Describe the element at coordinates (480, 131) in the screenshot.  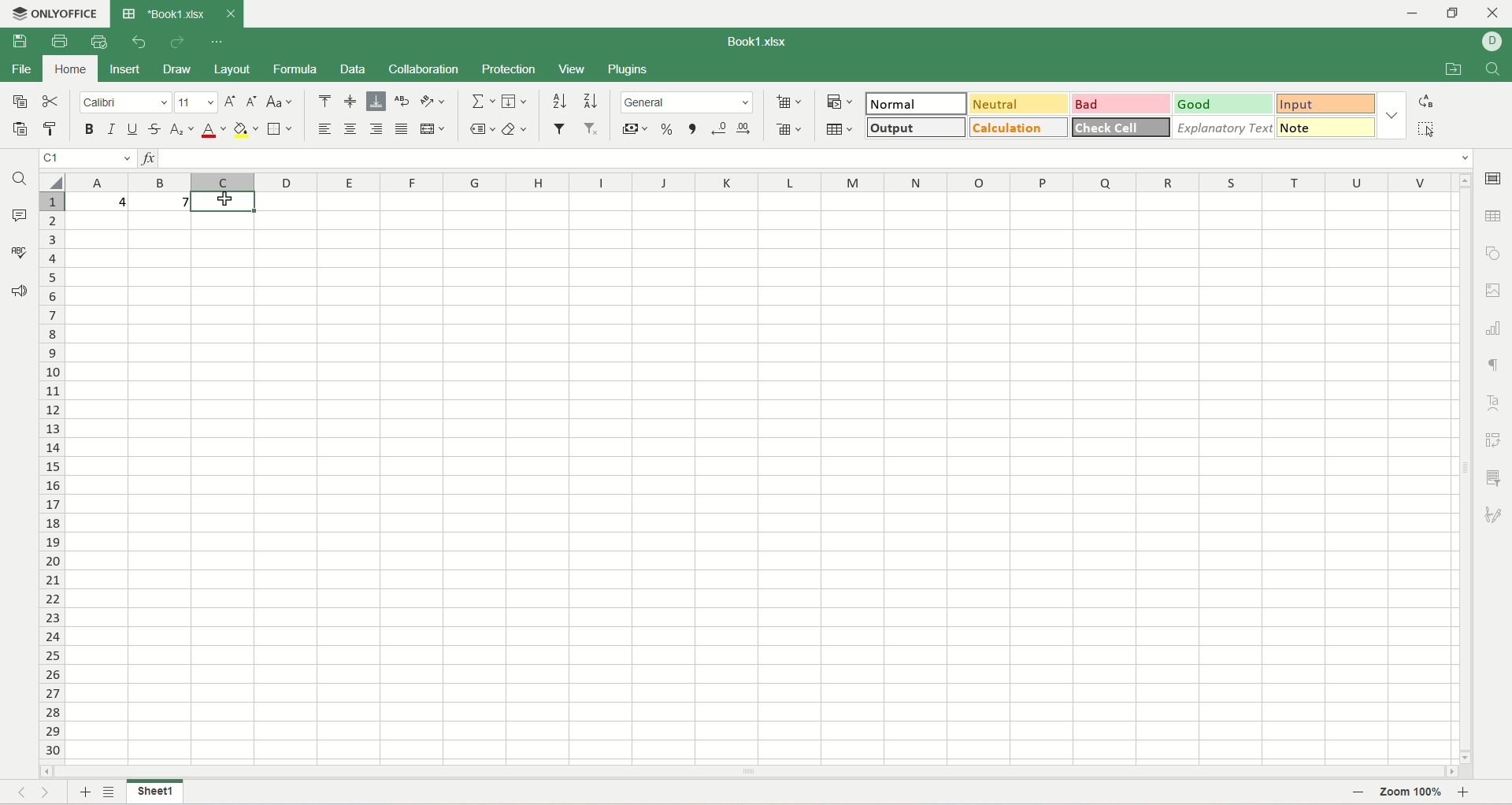
I see `named ranges` at that location.